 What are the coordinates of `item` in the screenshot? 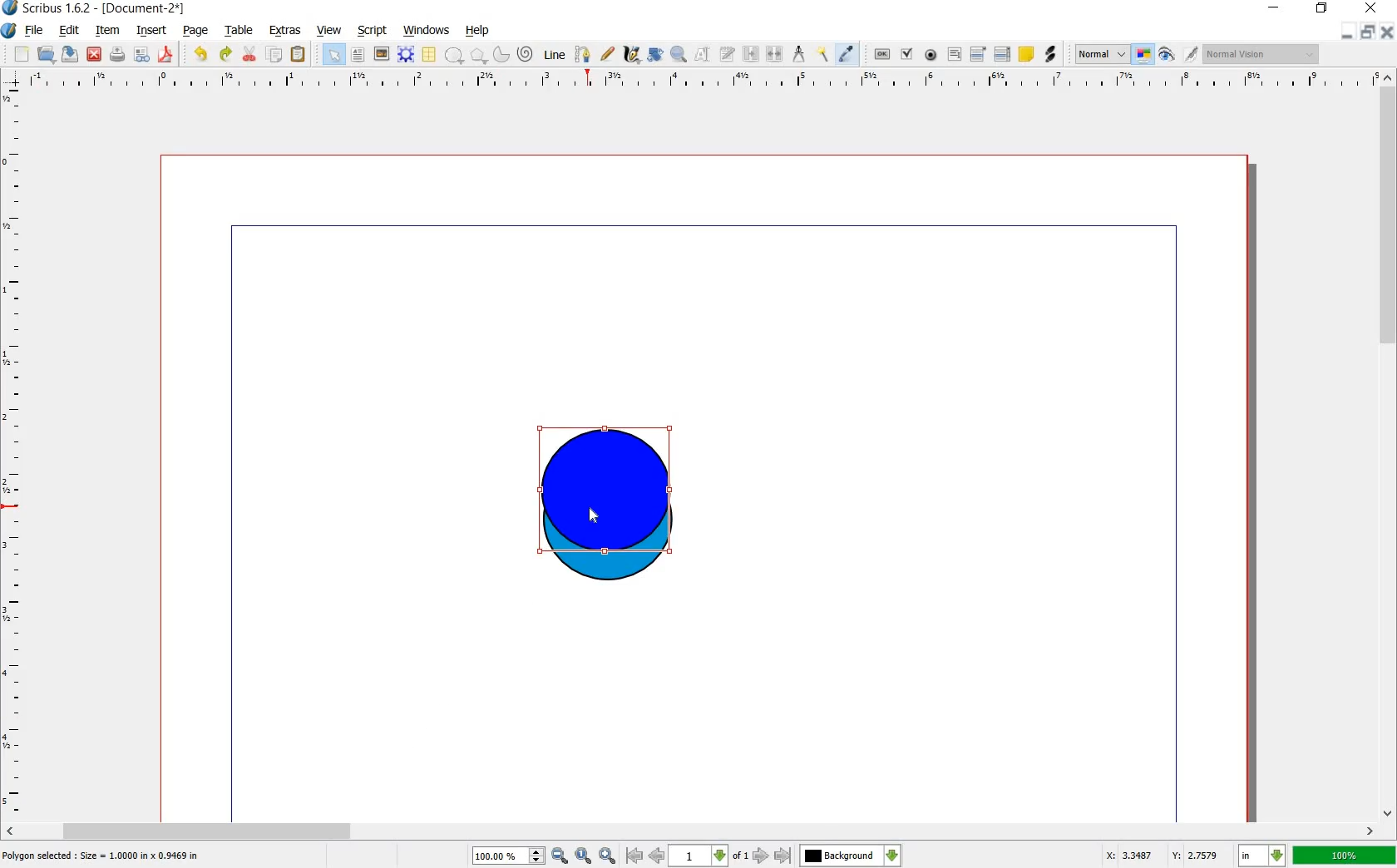 It's located at (108, 31).